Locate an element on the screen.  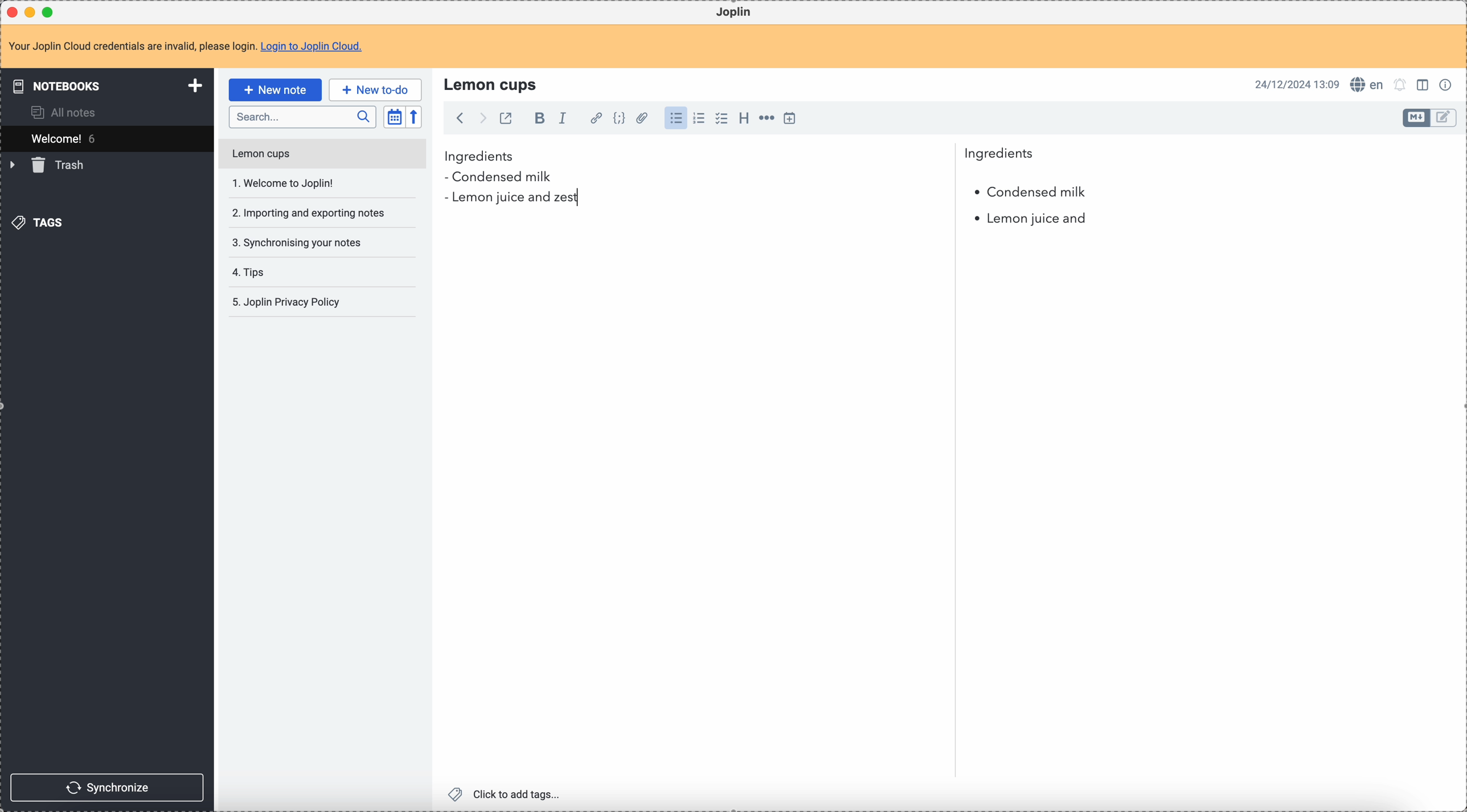
bold is located at coordinates (536, 119).